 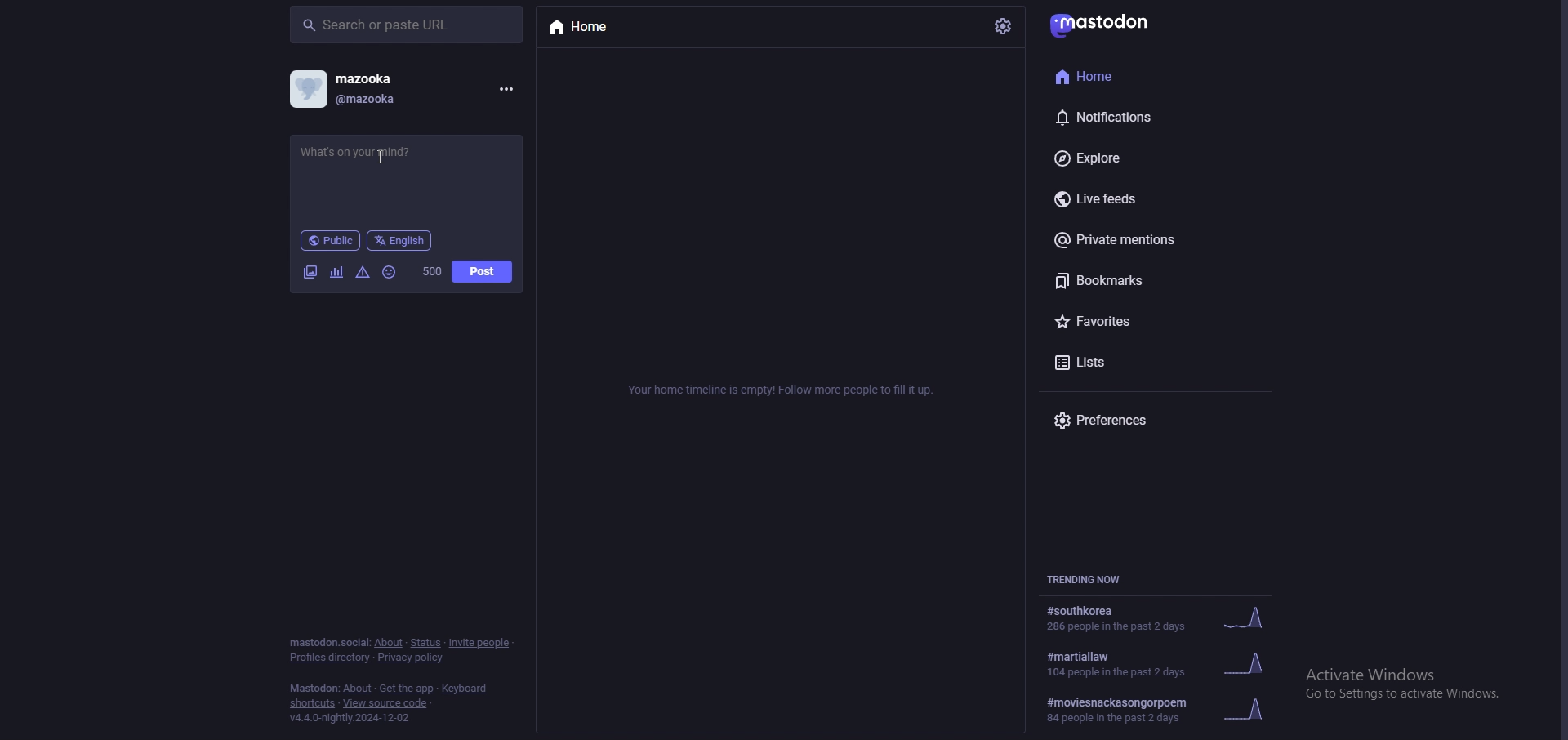 What do you see at coordinates (314, 689) in the screenshot?
I see `mastodon` at bounding box center [314, 689].